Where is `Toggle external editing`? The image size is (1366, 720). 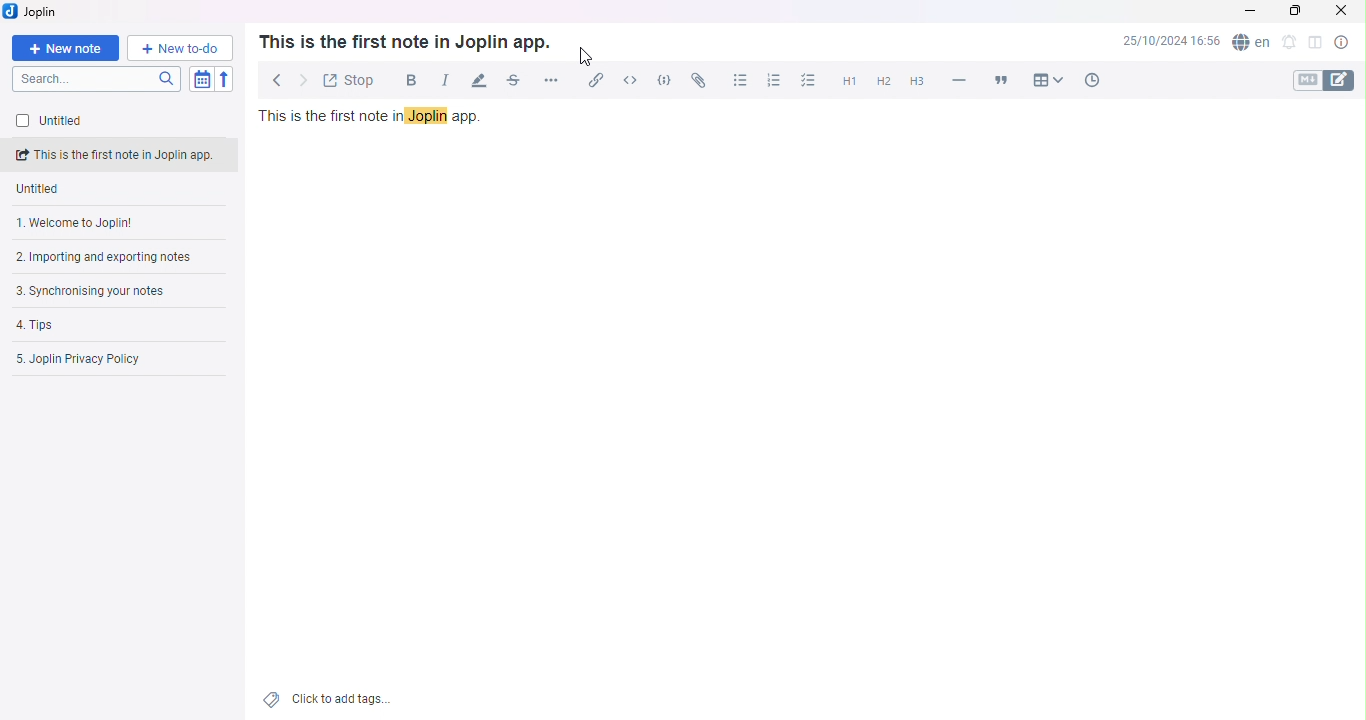 Toggle external editing is located at coordinates (348, 79).